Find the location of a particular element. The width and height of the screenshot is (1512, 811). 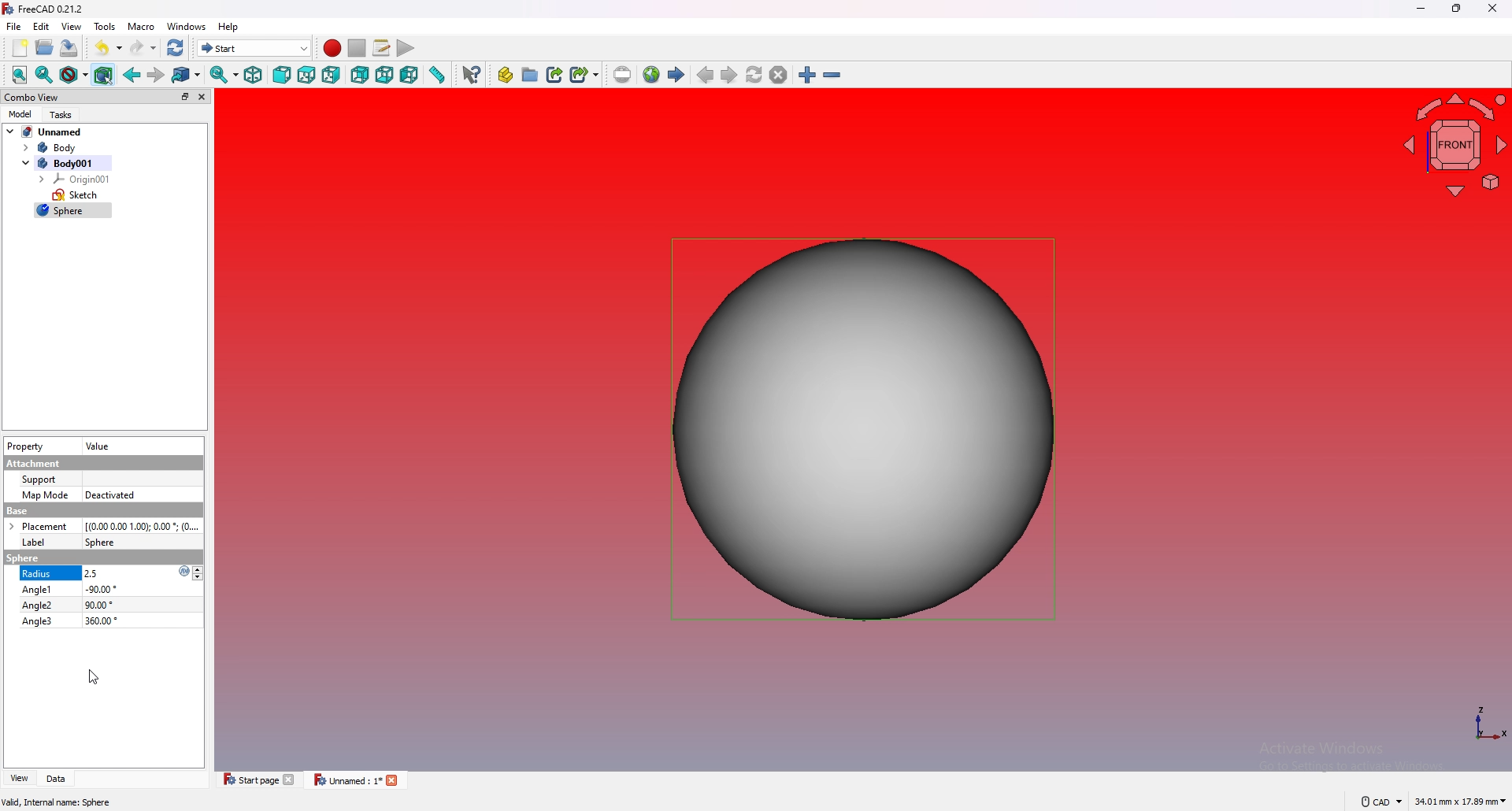

angle 1 -90degree is located at coordinates (75, 589).